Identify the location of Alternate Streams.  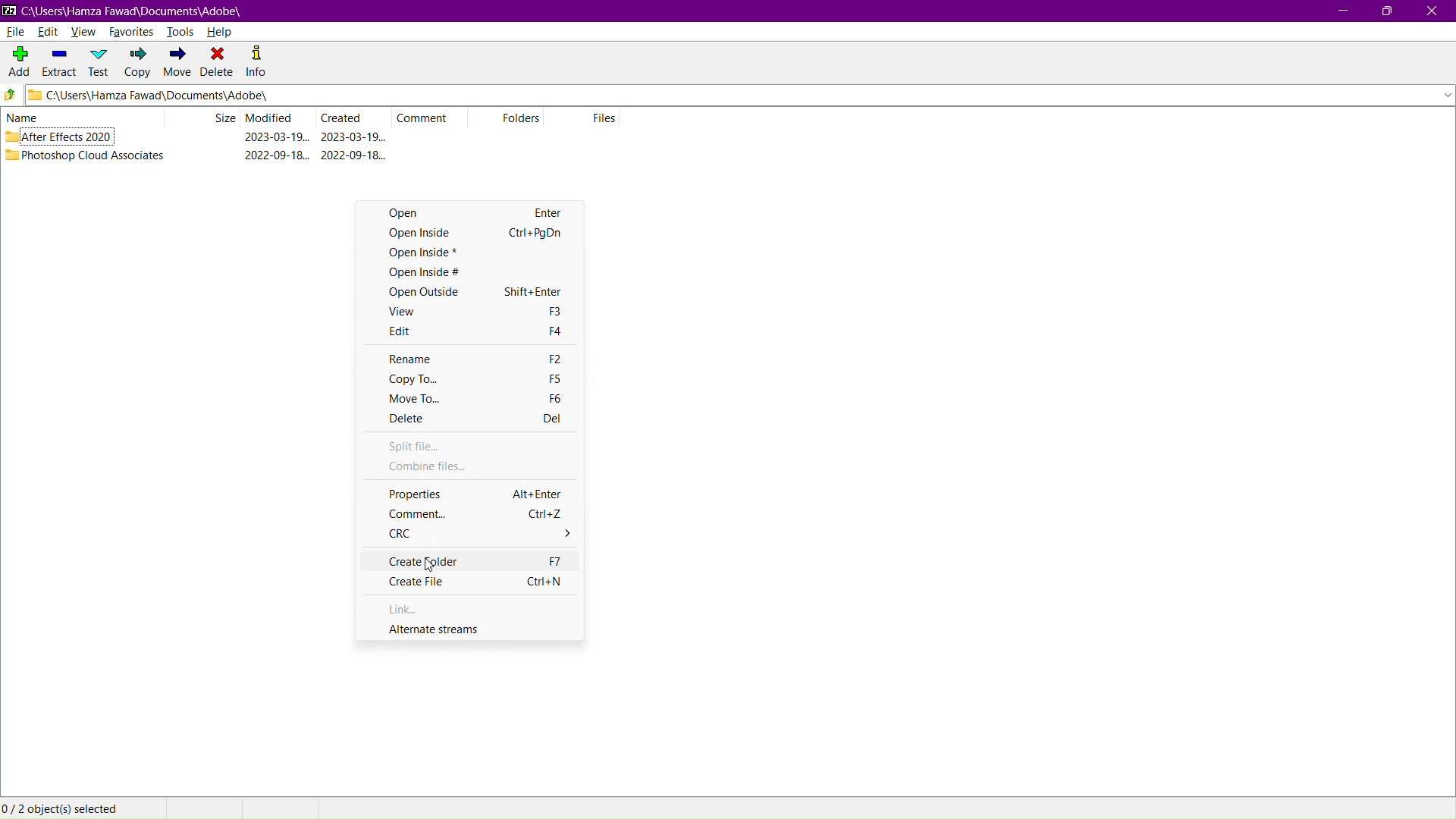
(469, 629).